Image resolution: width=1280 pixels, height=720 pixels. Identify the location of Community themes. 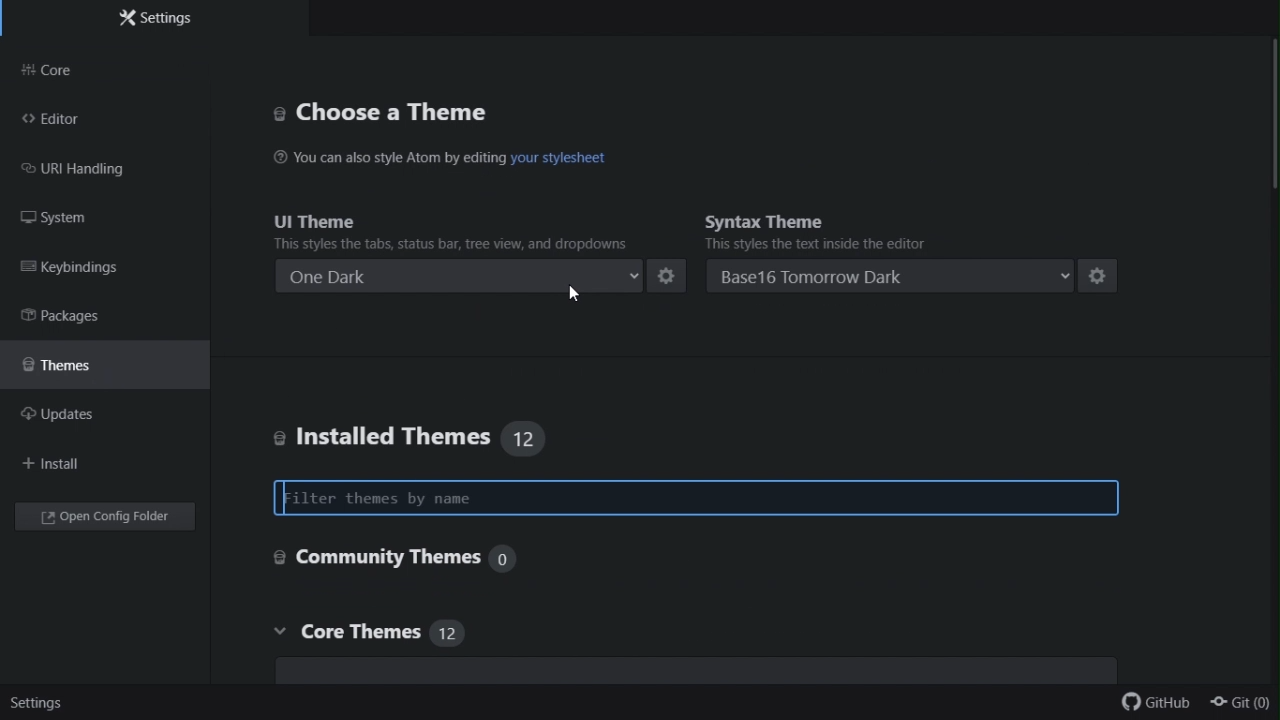
(399, 559).